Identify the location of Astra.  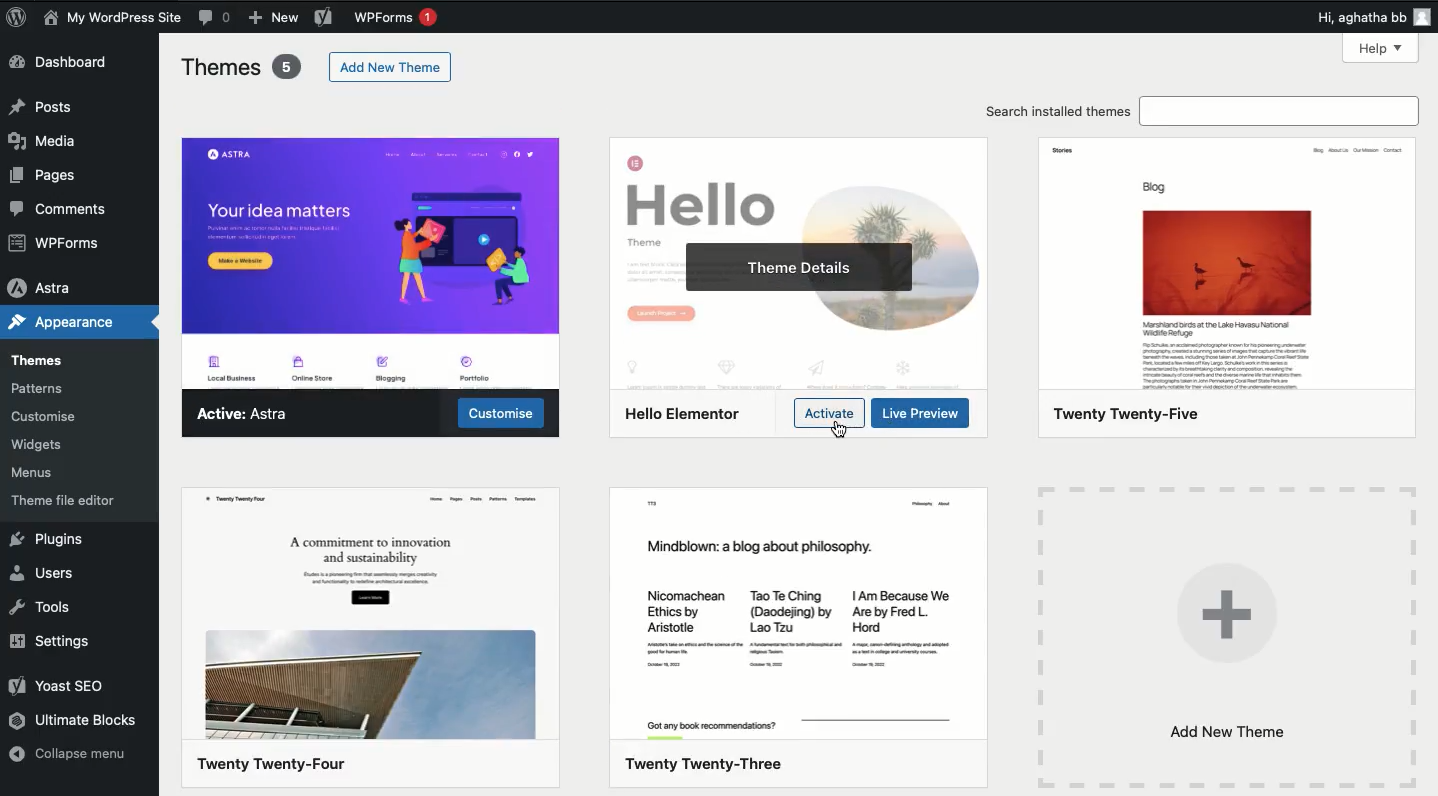
(247, 416).